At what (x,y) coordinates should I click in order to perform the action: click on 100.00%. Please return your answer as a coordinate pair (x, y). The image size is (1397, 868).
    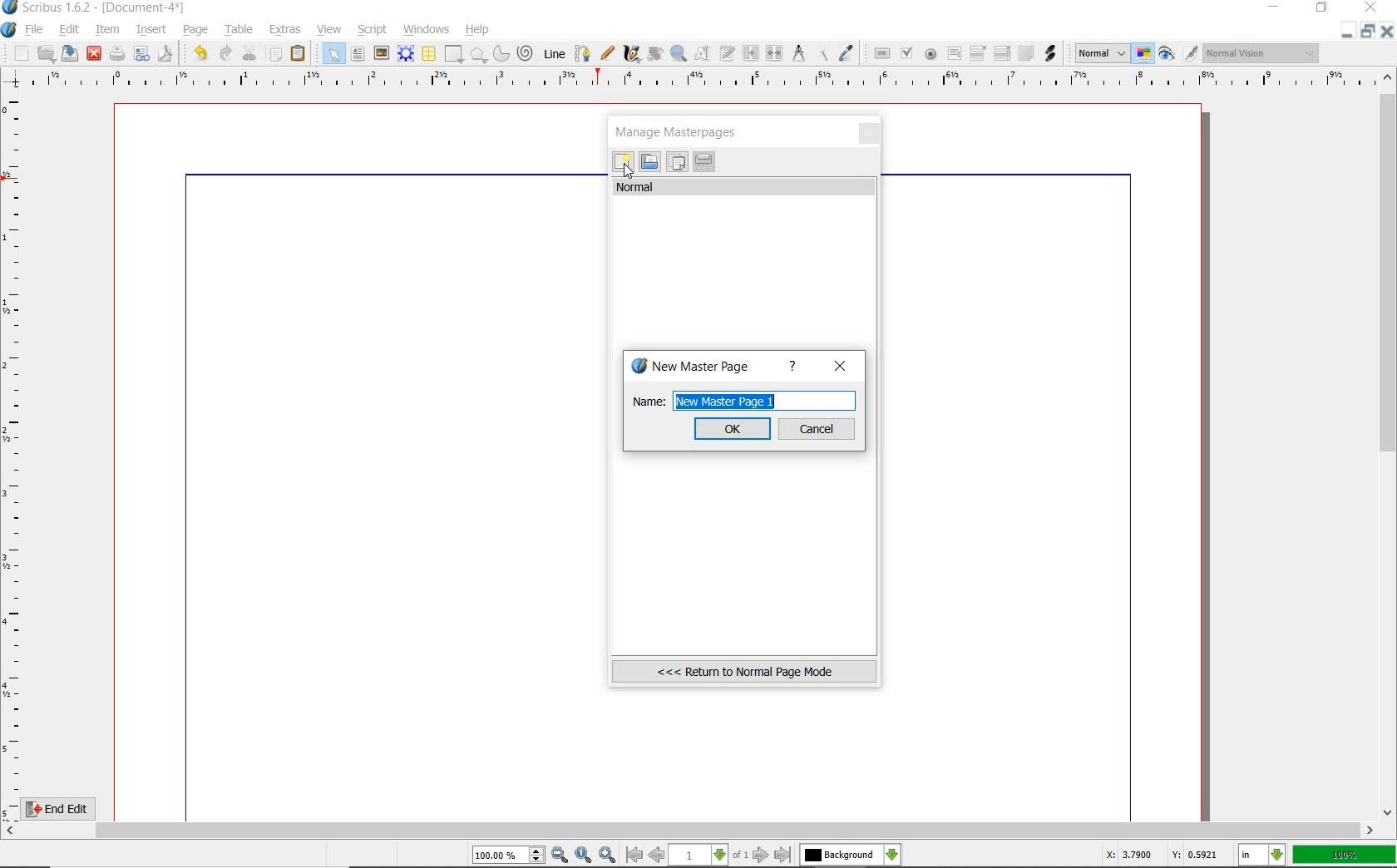
    Looking at the image, I should click on (510, 856).